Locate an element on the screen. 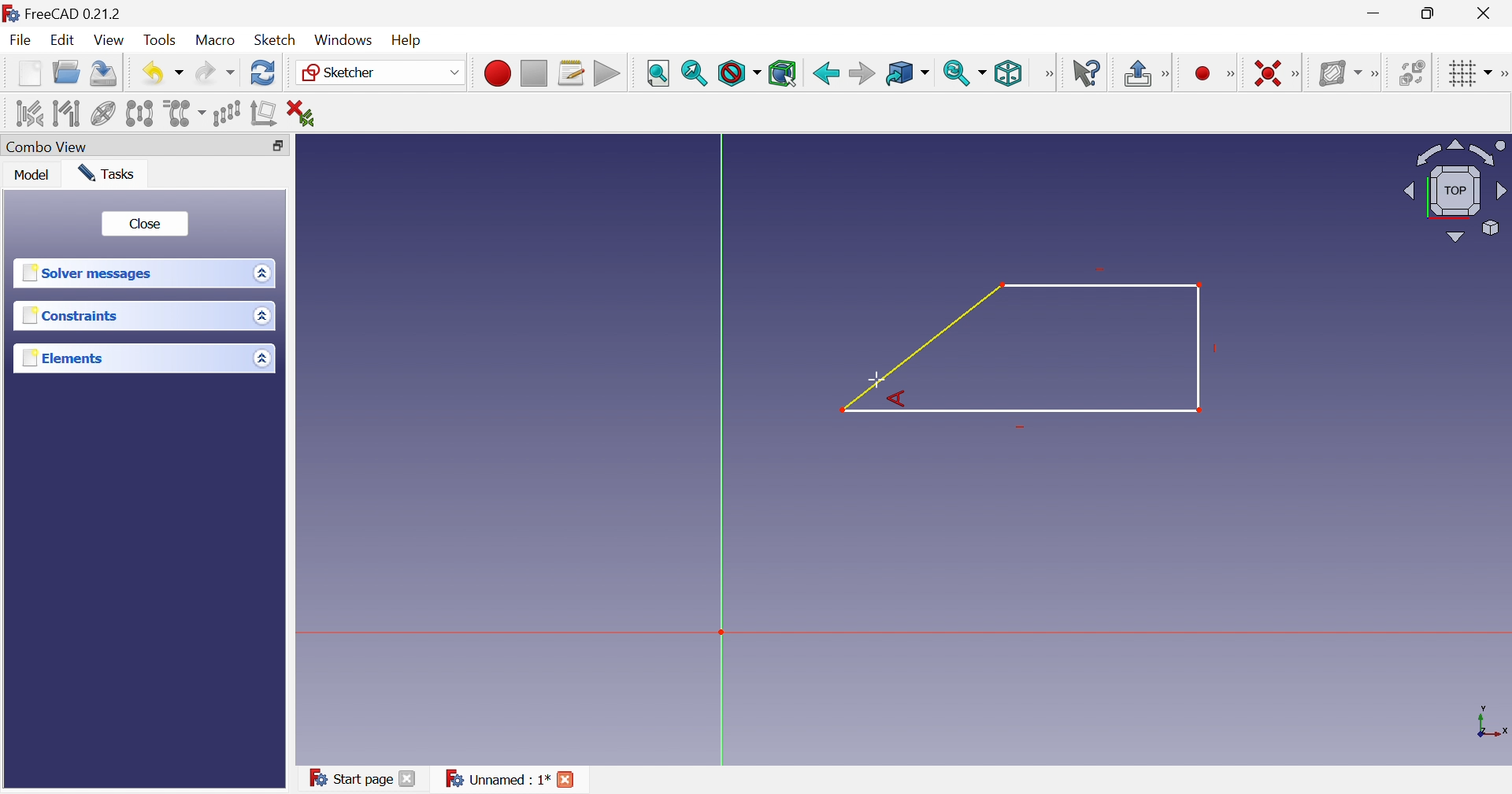  Forward is located at coordinates (862, 72).